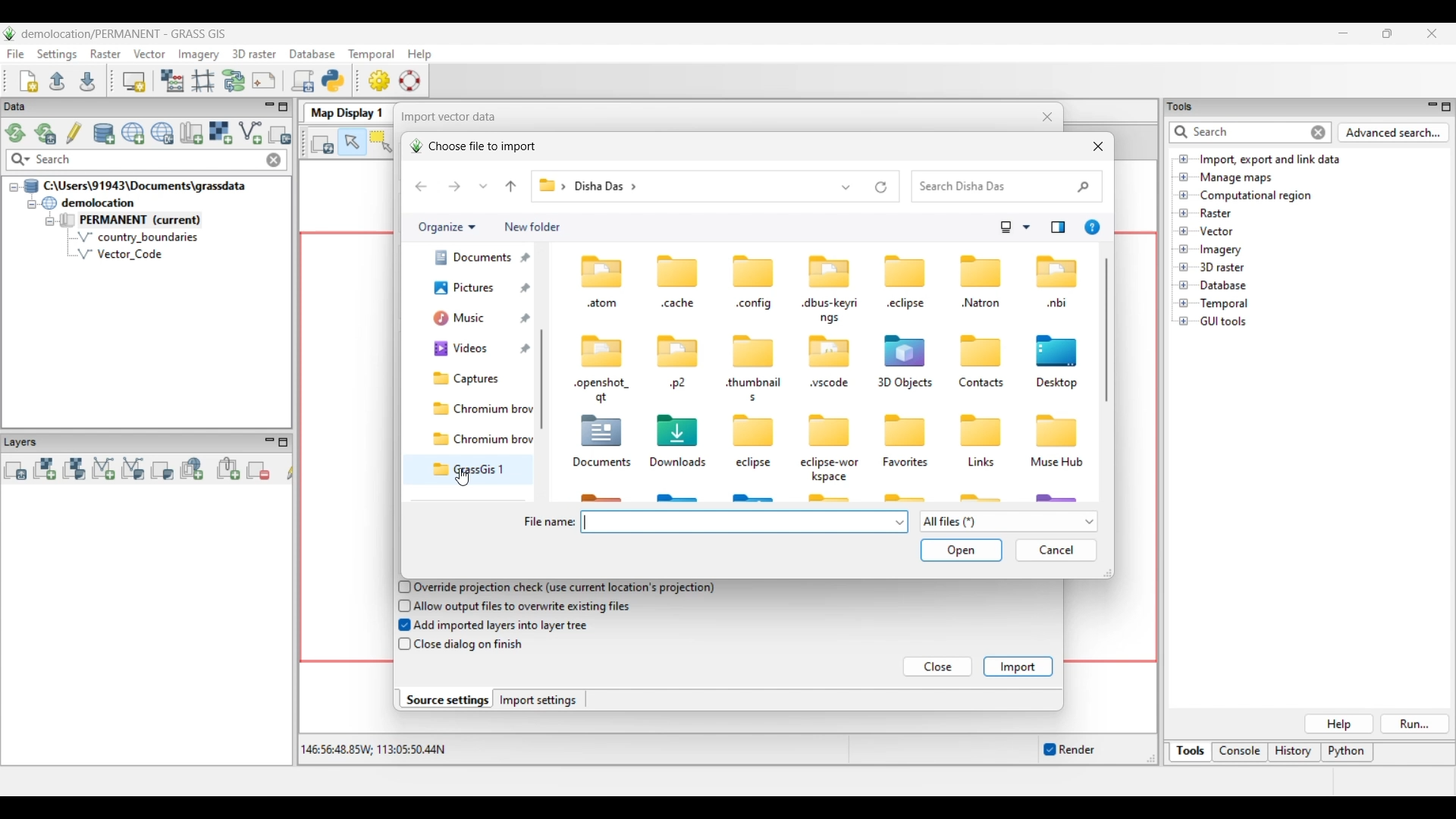  Describe the element at coordinates (1184, 195) in the screenshot. I see `Click to open Computational region` at that location.